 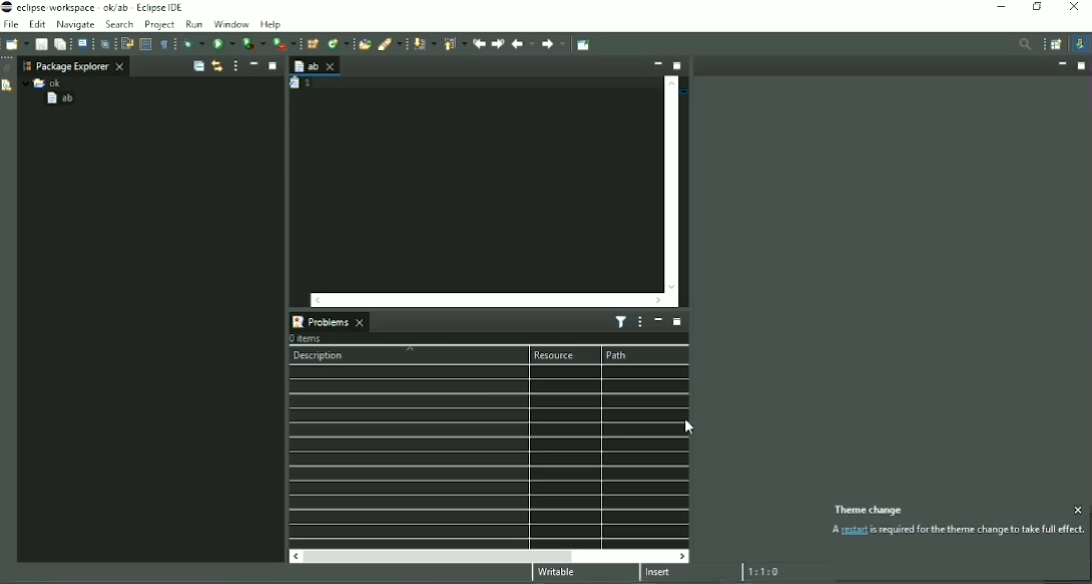 What do you see at coordinates (617, 355) in the screenshot?
I see `Path` at bounding box center [617, 355].